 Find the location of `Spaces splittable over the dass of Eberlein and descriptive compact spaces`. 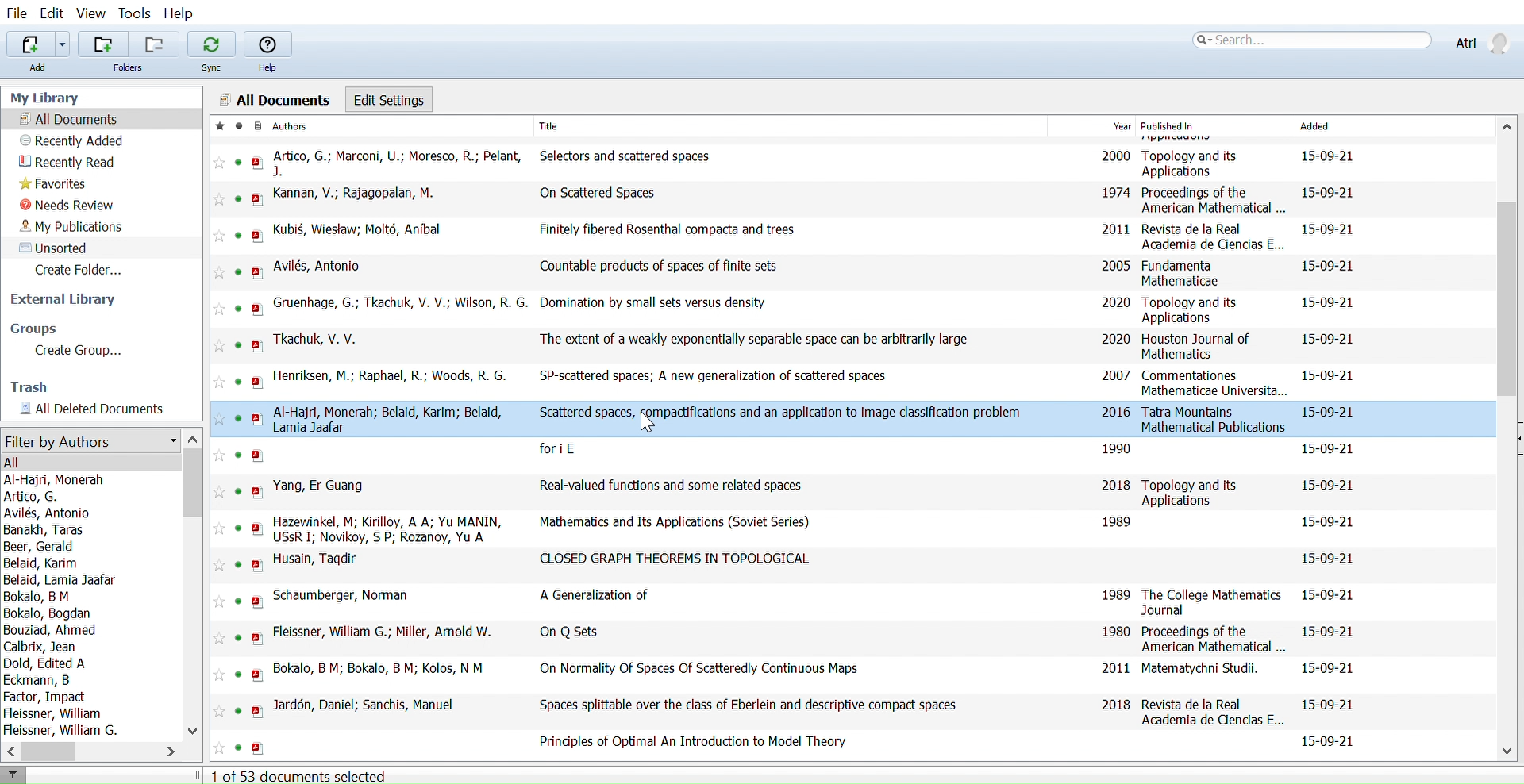

Spaces splittable over the dass of Eberlein and descriptive compact spaces is located at coordinates (740, 706).